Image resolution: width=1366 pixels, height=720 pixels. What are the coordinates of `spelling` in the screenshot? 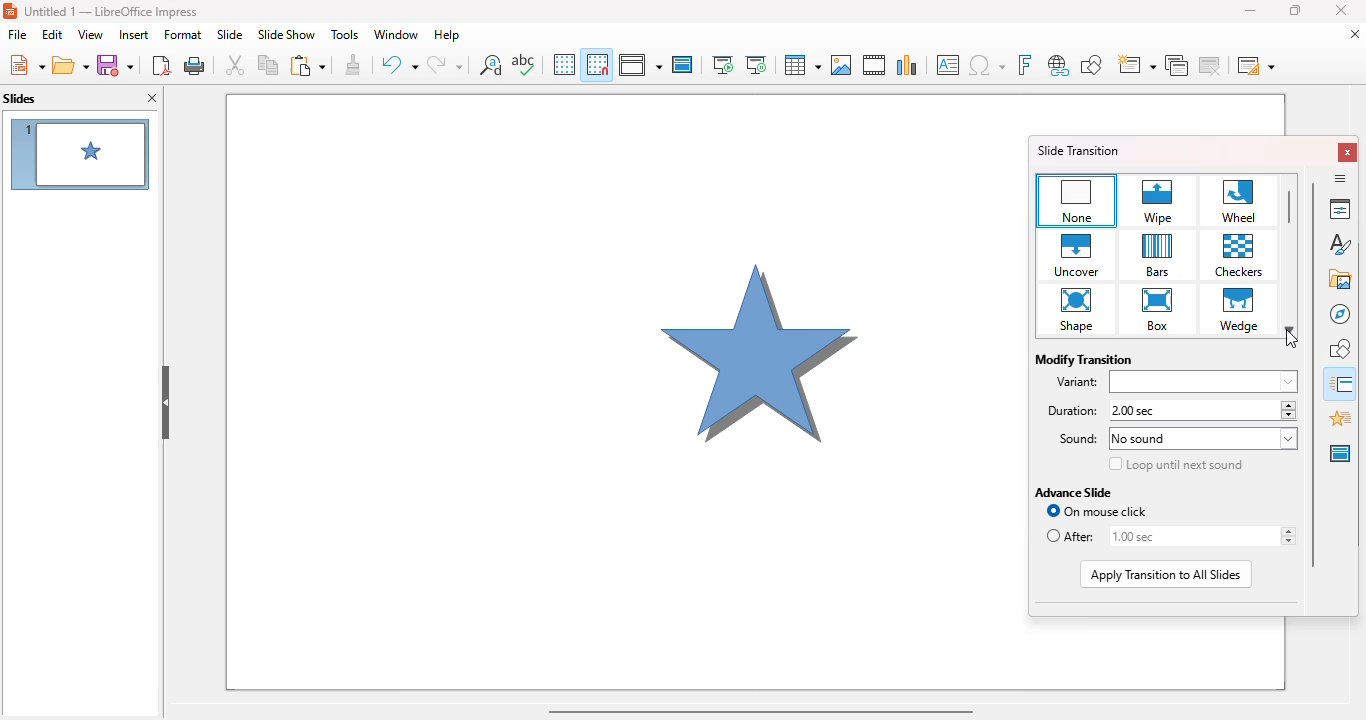 It's located at (523, 63).